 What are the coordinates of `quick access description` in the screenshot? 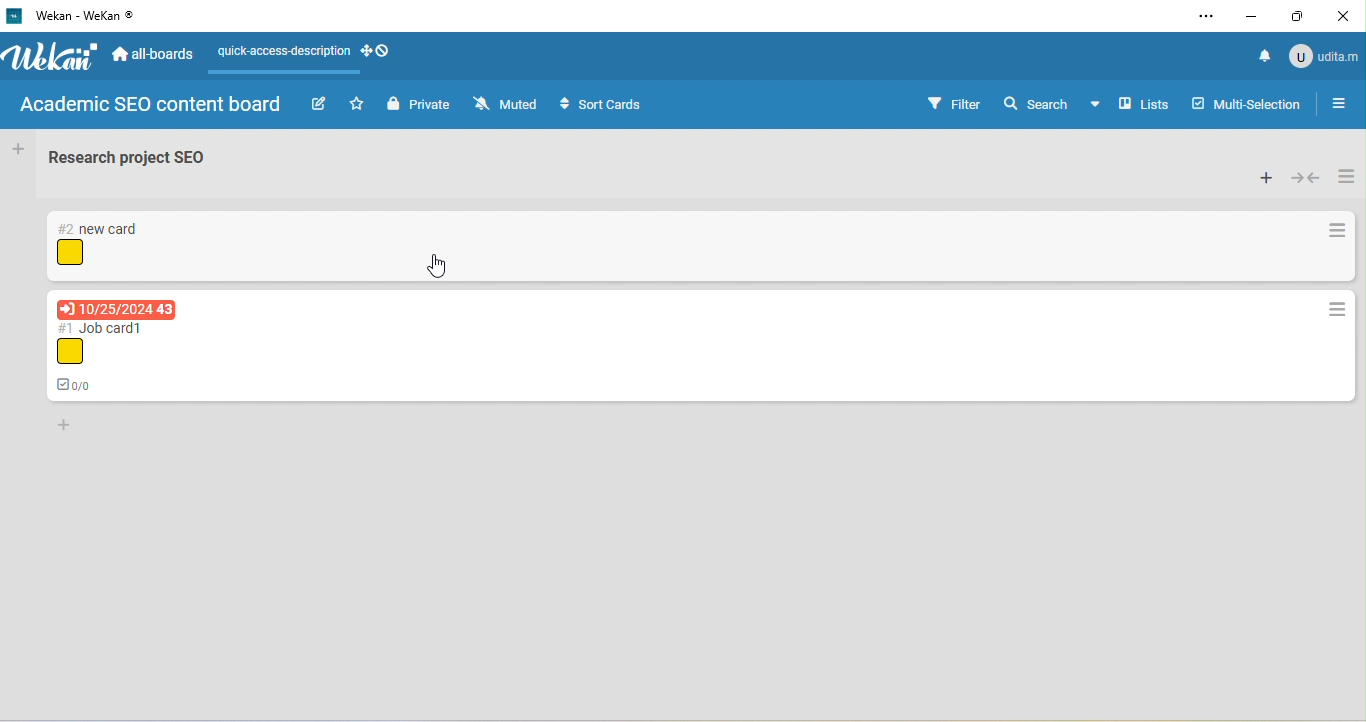 It's located at (279, 53).